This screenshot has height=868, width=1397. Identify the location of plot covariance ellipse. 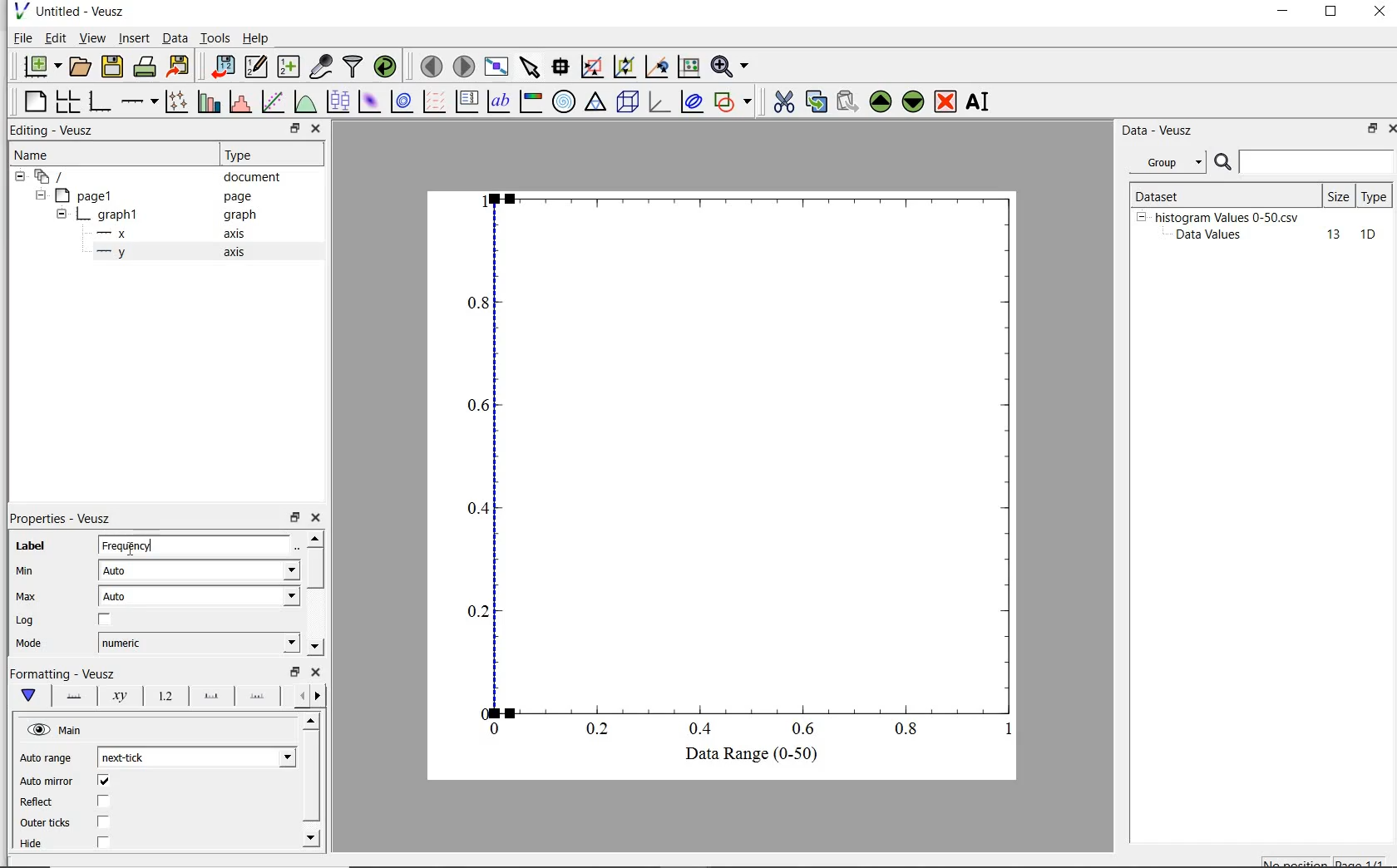
(692, 104).